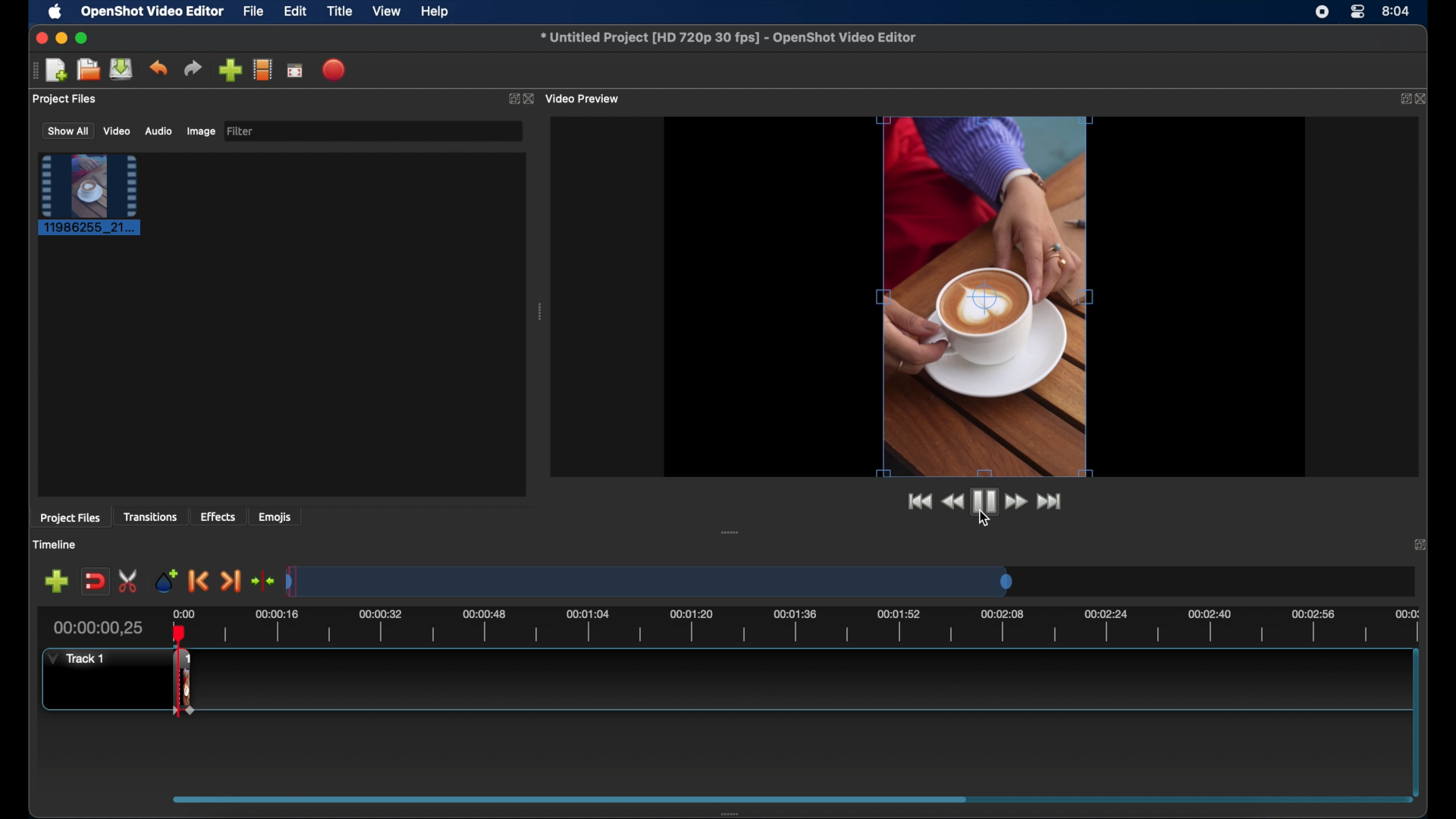 The width and height of the screenshot is (1456, 819). I want to click on audio, so click(158, 130).